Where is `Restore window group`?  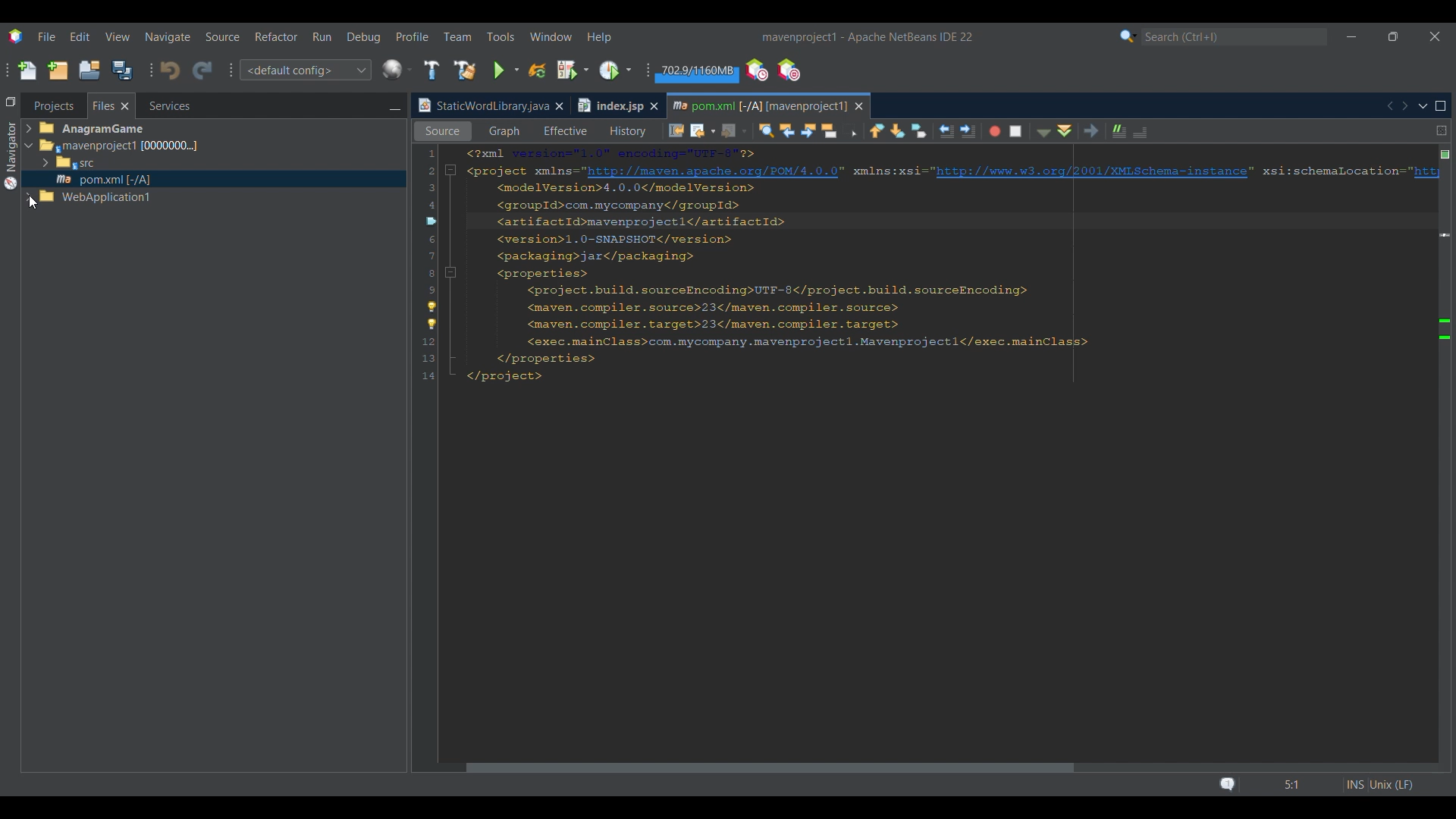
Restore window group is located at coordinates (11, 101).